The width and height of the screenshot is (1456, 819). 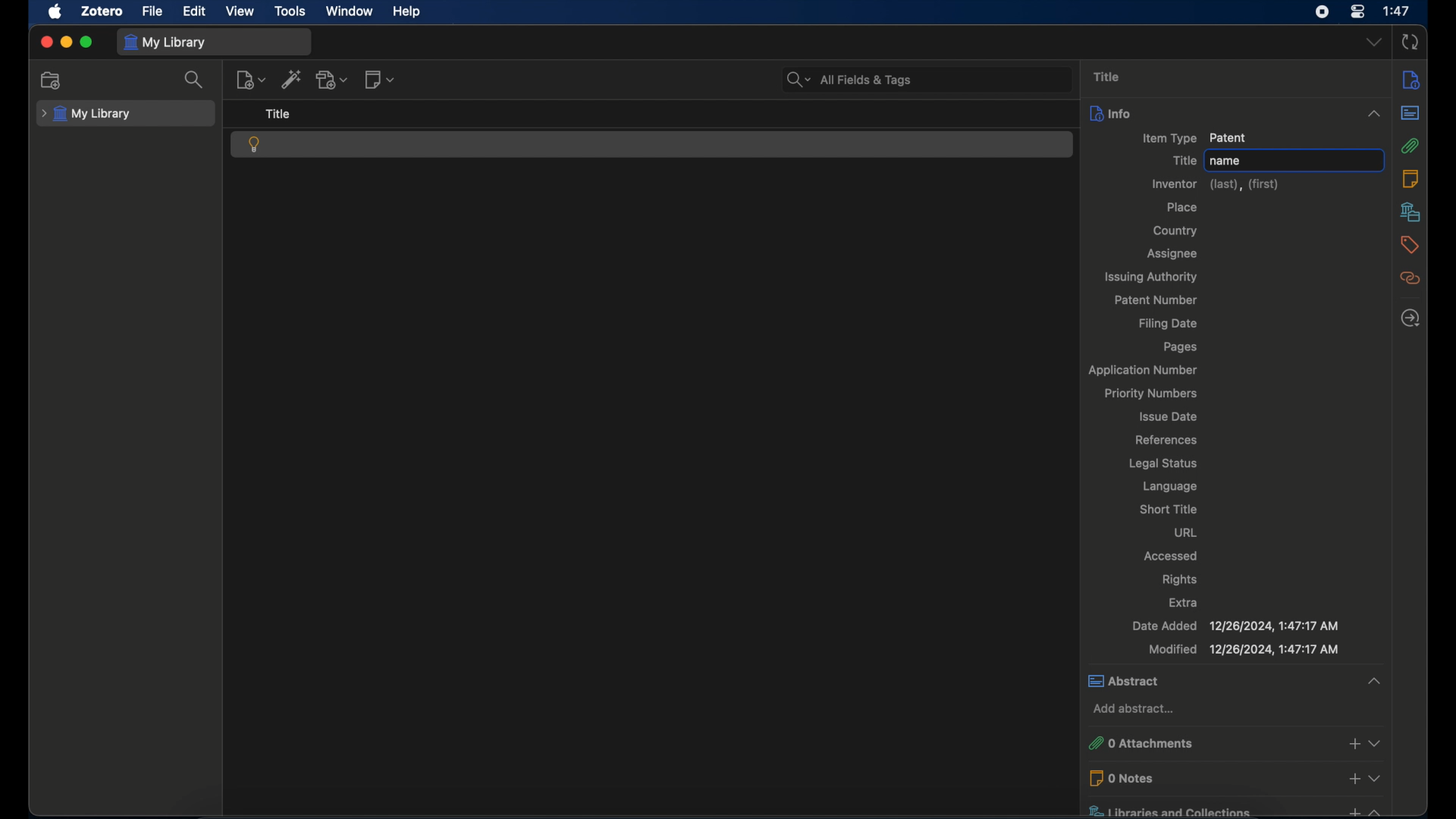 I want to click on my library, so click(x=168, y=42).